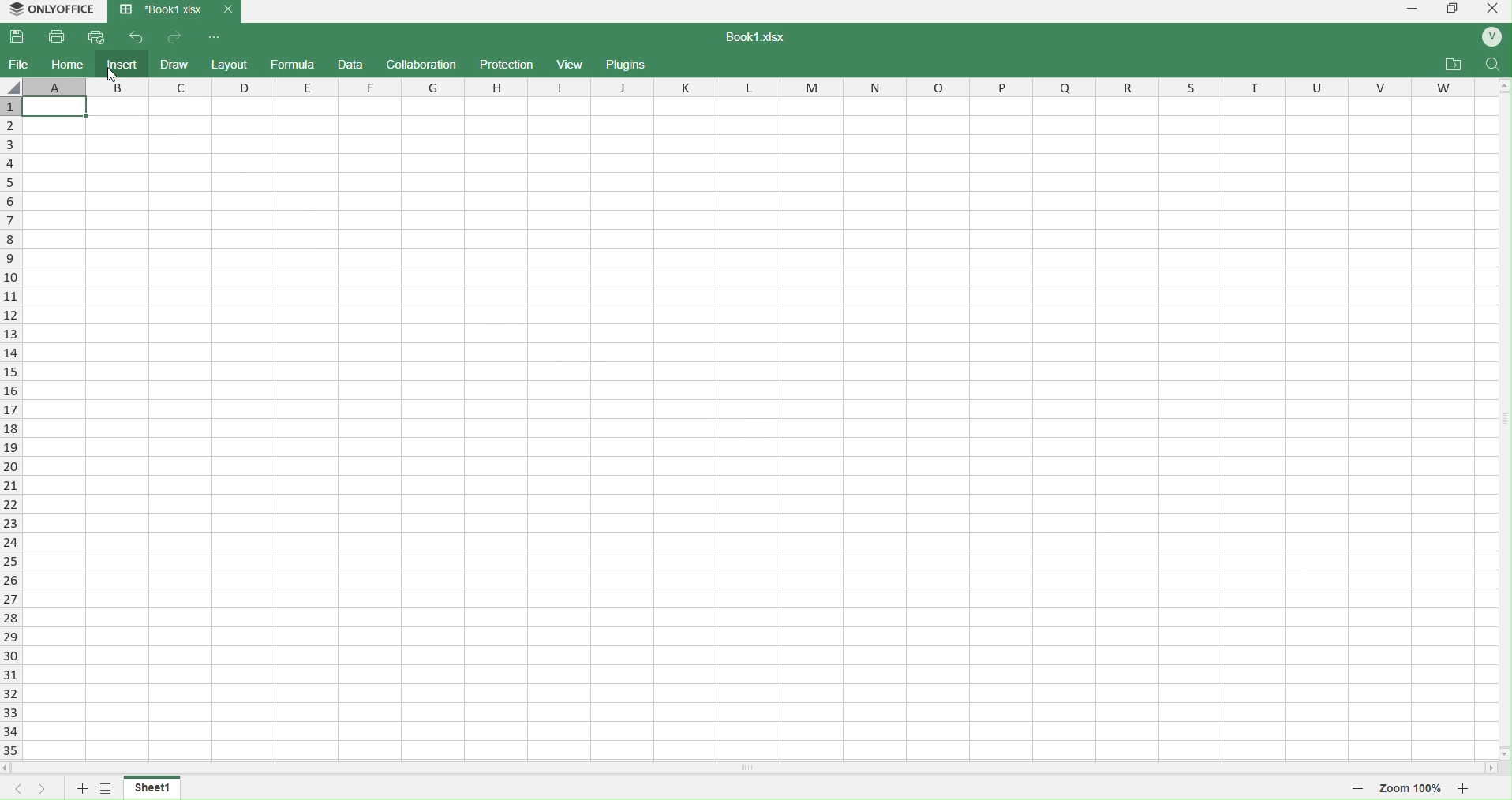 Image resolution: width=1512 pixels, height=800 pixels. Describe the element at coordinates (1491, 769) in the screenshot. I see `move right` at that location.